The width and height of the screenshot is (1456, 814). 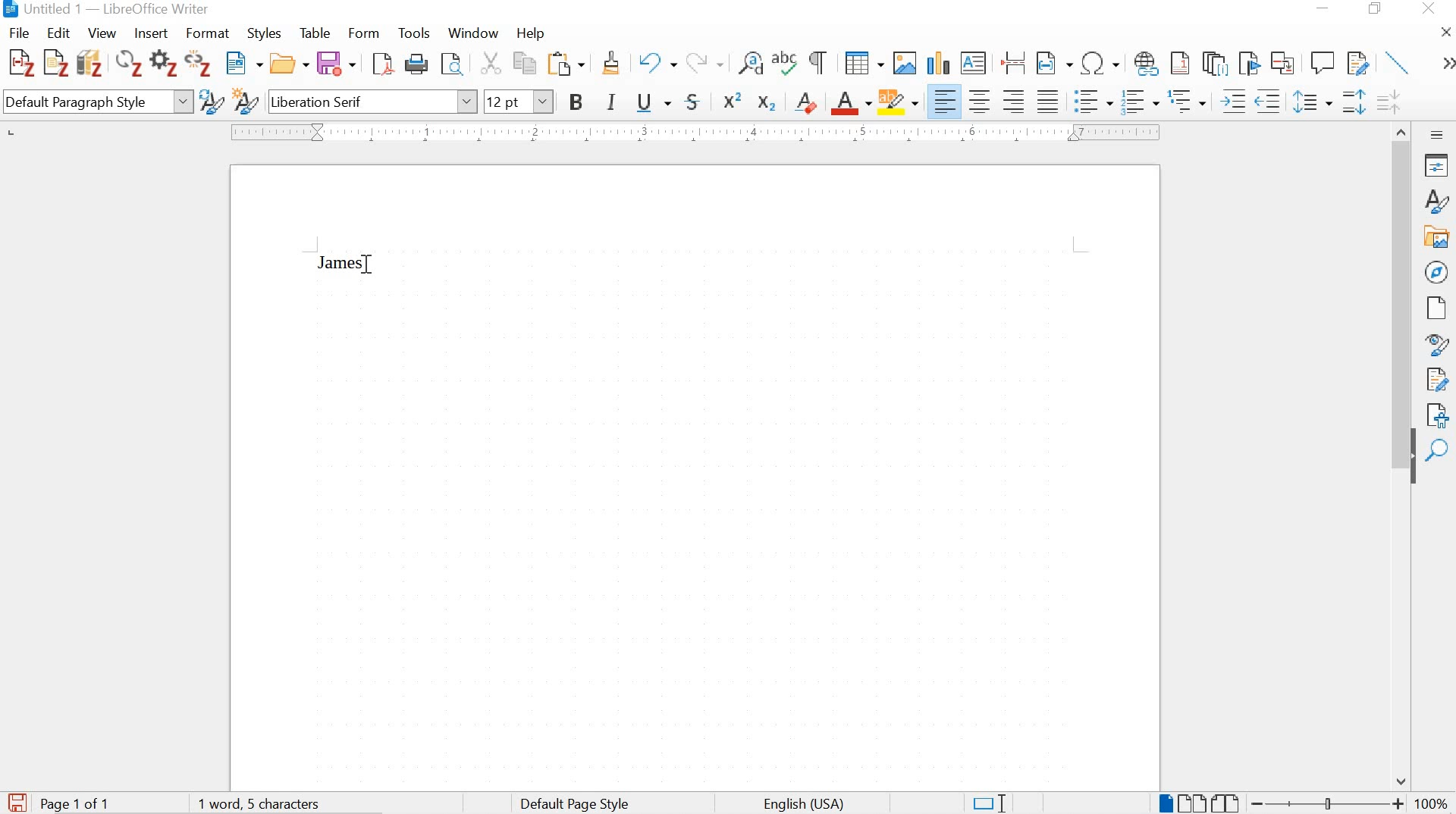 I want to click on outline format, so click(x=1188, y=102).